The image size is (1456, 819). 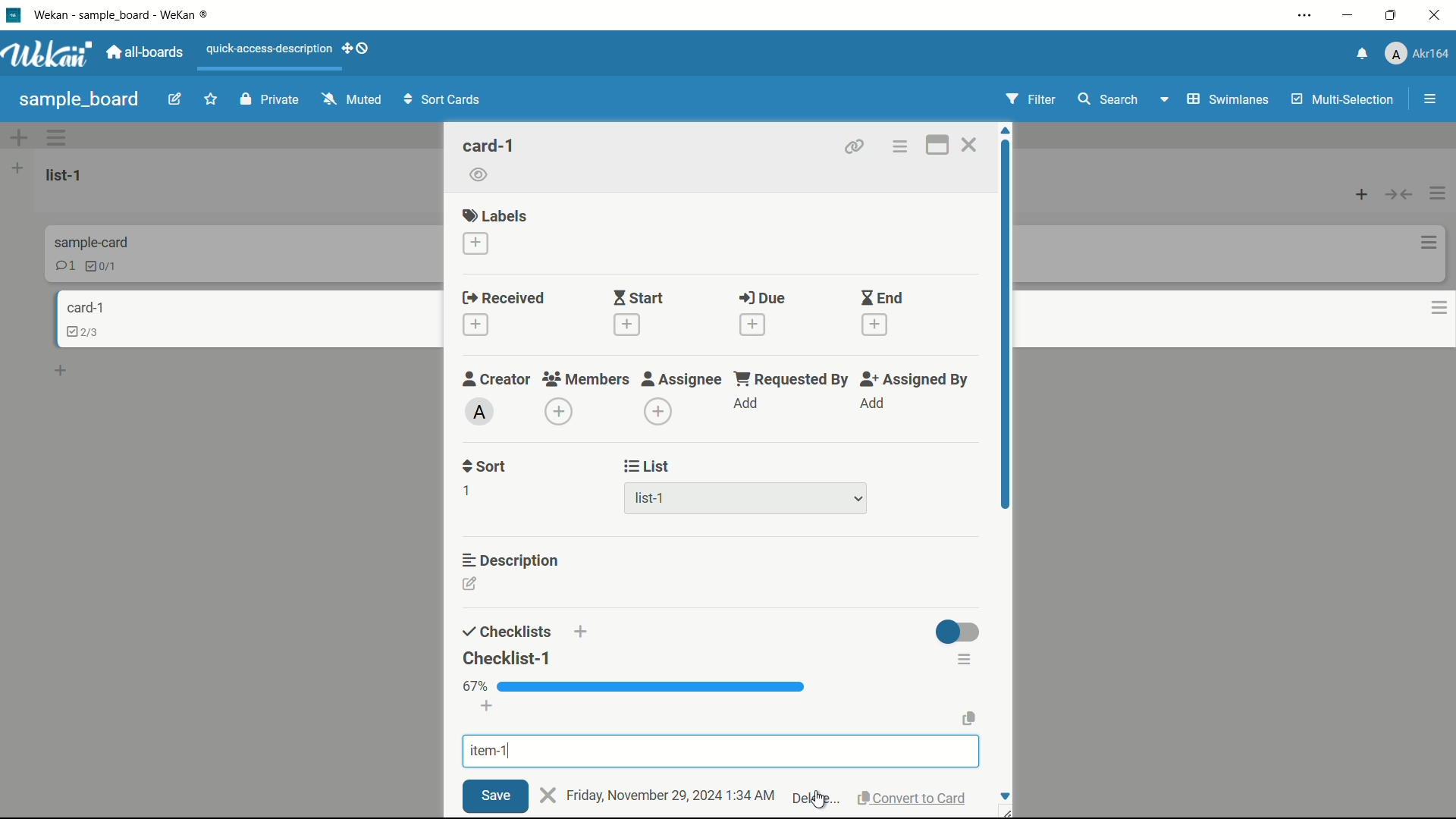 I want to click on due, so click(x=767, y=299).